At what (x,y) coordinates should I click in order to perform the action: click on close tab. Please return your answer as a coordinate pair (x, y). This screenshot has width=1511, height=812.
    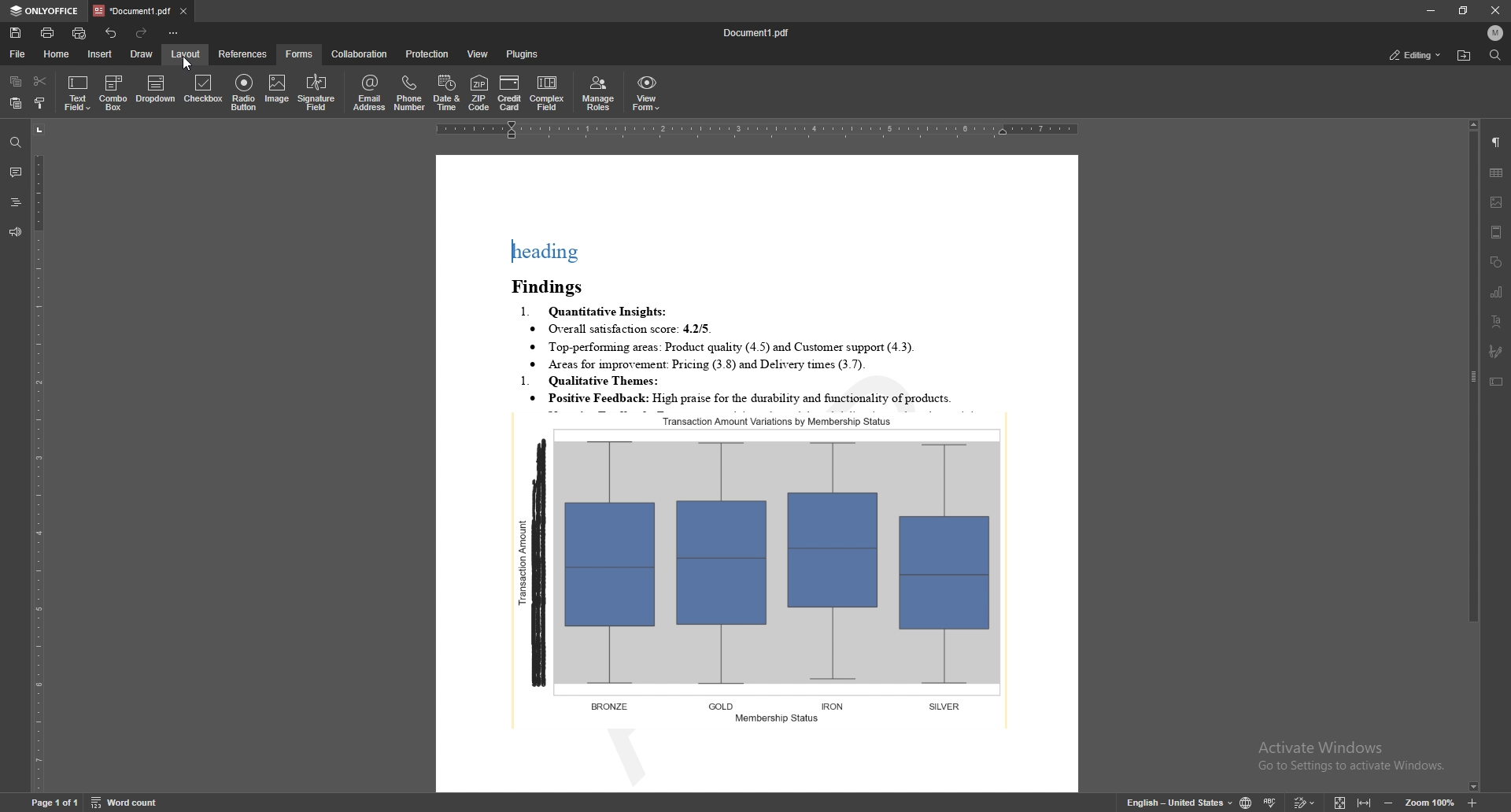
    Looking at the image, I should click on (183, 10).